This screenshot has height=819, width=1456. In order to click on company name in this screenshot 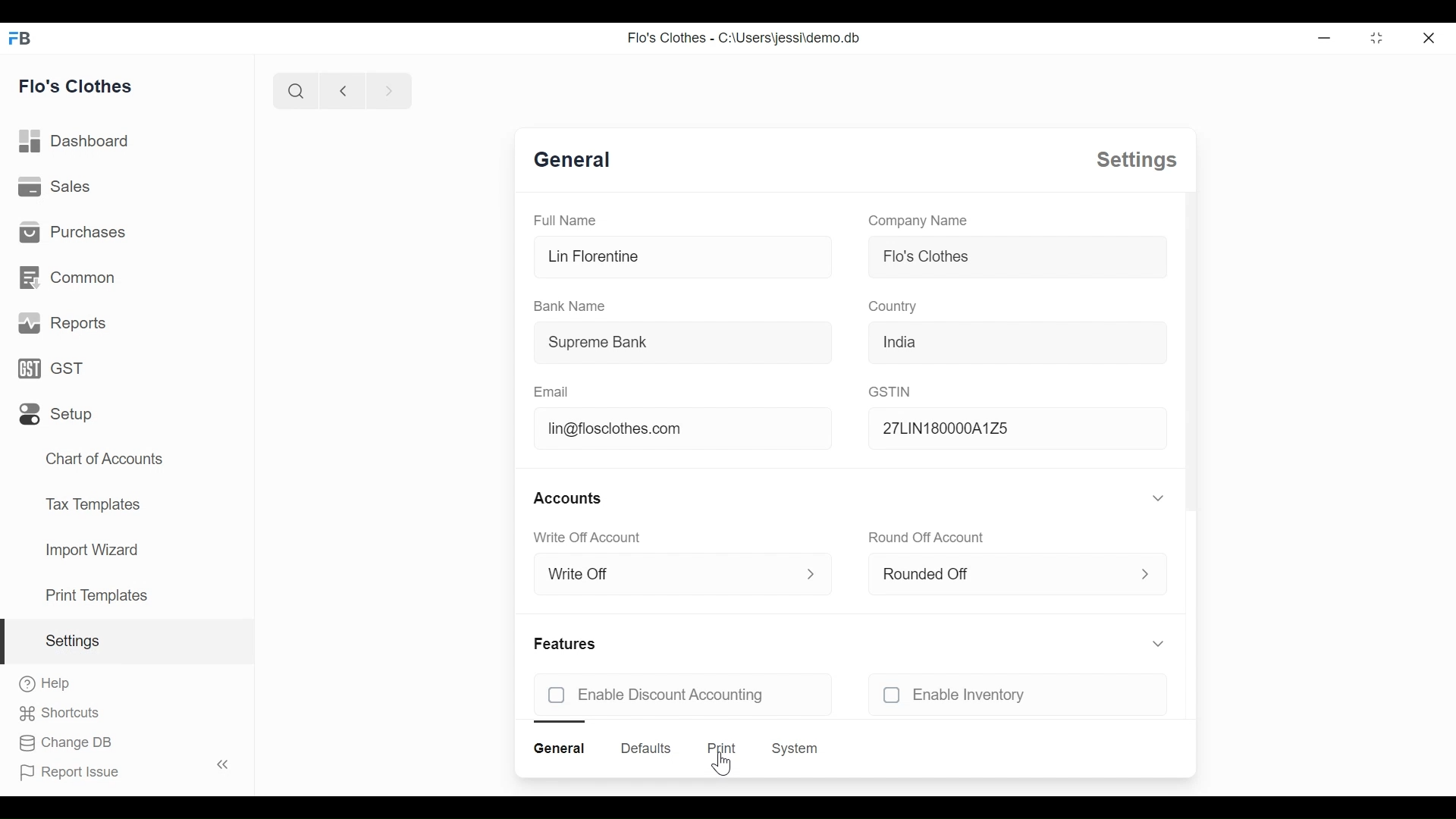, I will do `click(918, 221)`.